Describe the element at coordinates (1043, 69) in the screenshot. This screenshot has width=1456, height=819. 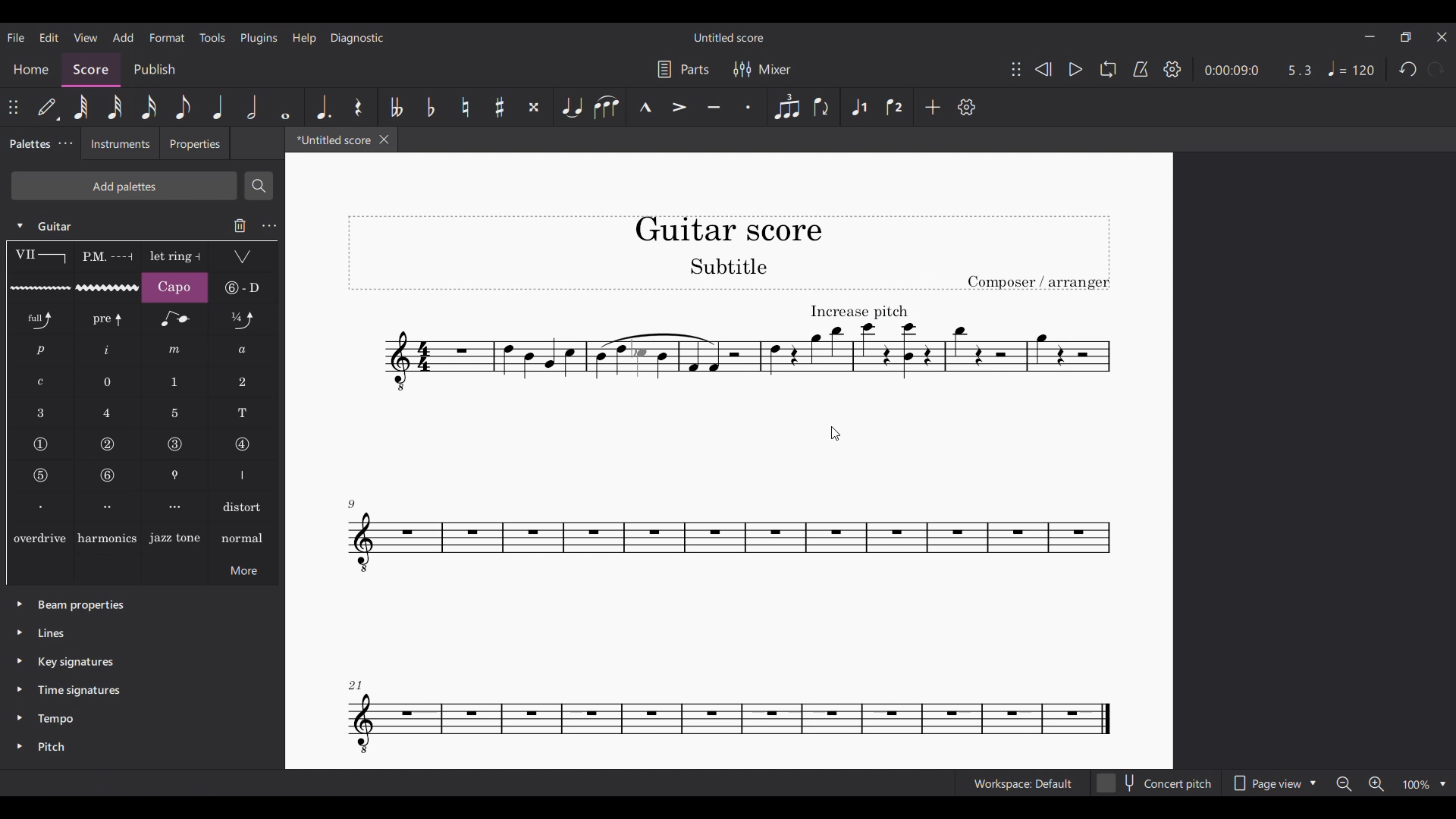
I see `Rewind` at that location.